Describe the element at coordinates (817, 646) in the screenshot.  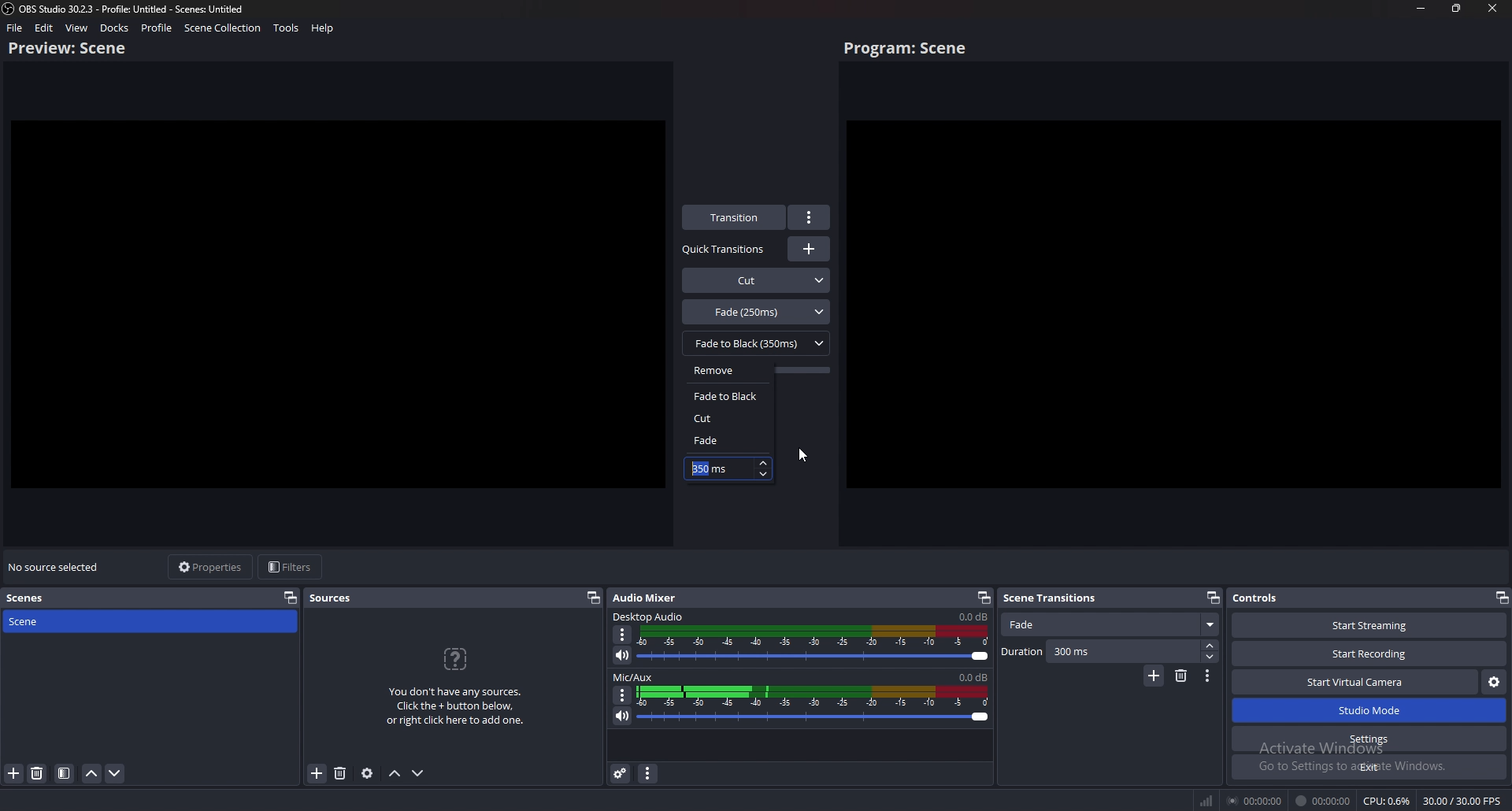
I see `Desktop audio sound bar` at that location.